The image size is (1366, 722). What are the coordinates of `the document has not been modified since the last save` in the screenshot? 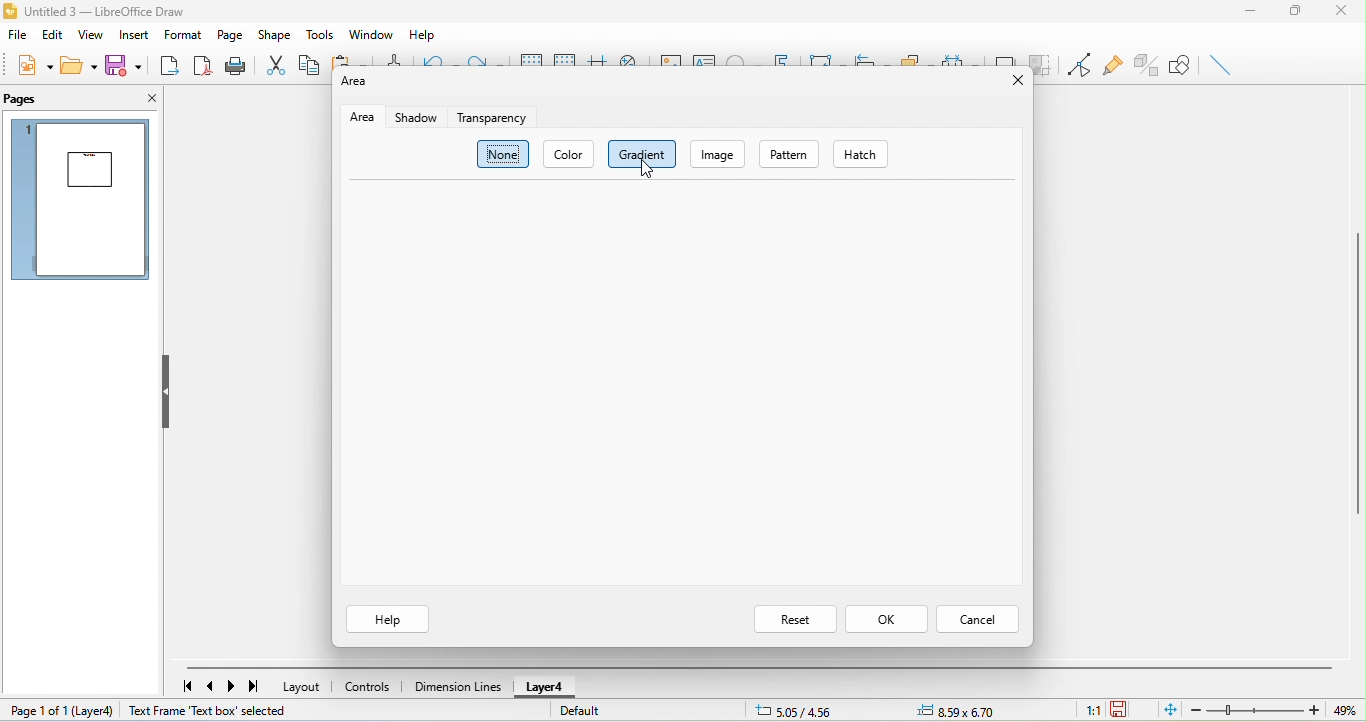 It's located at (1130, 711).